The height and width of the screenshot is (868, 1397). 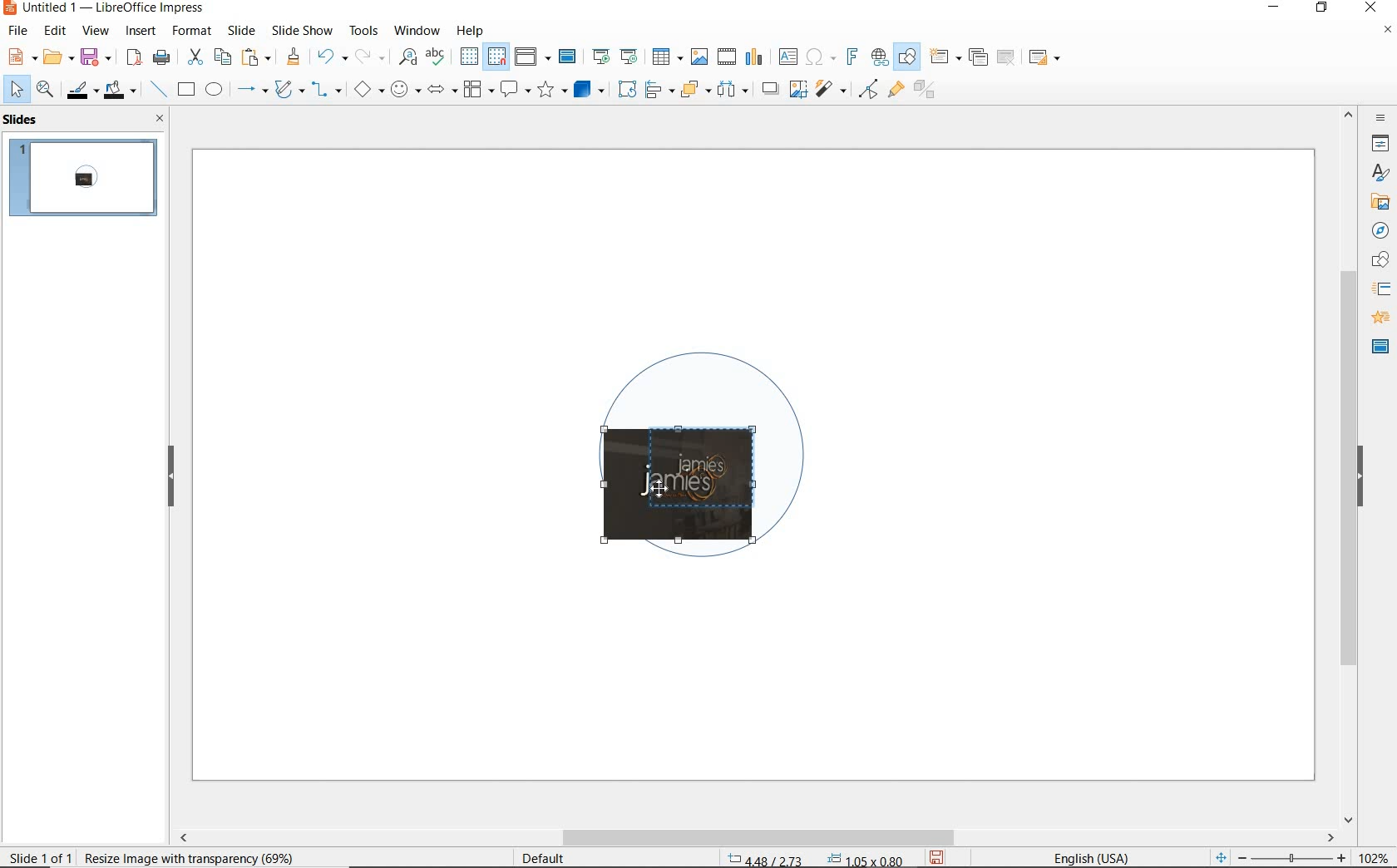 I want to click on styles, so click(x=1380, y=174).